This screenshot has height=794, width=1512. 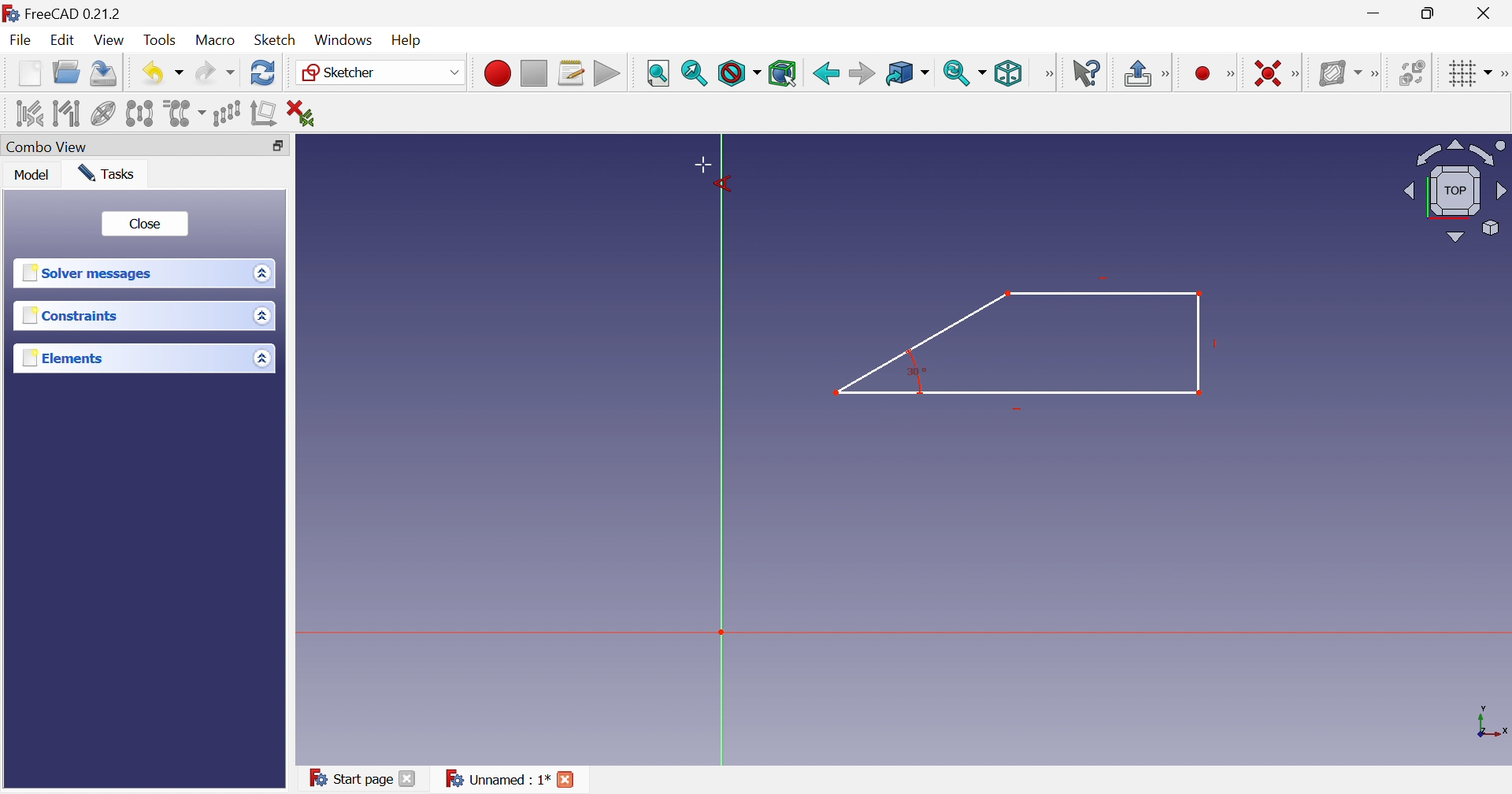 I want to click on Close, so click(x=409, y=781).